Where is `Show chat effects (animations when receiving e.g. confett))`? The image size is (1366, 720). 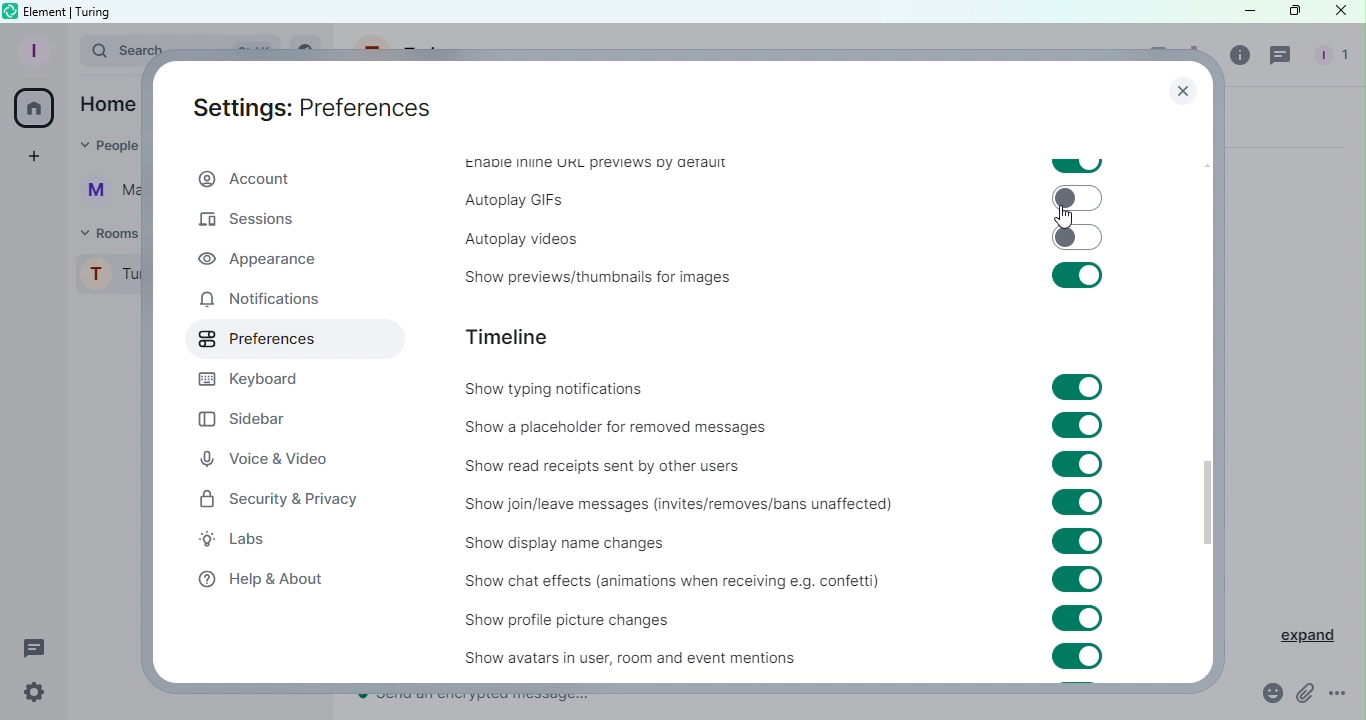
Show chat effects (animations when receiving e.g. confett)) is located at coordinates (667, 584).